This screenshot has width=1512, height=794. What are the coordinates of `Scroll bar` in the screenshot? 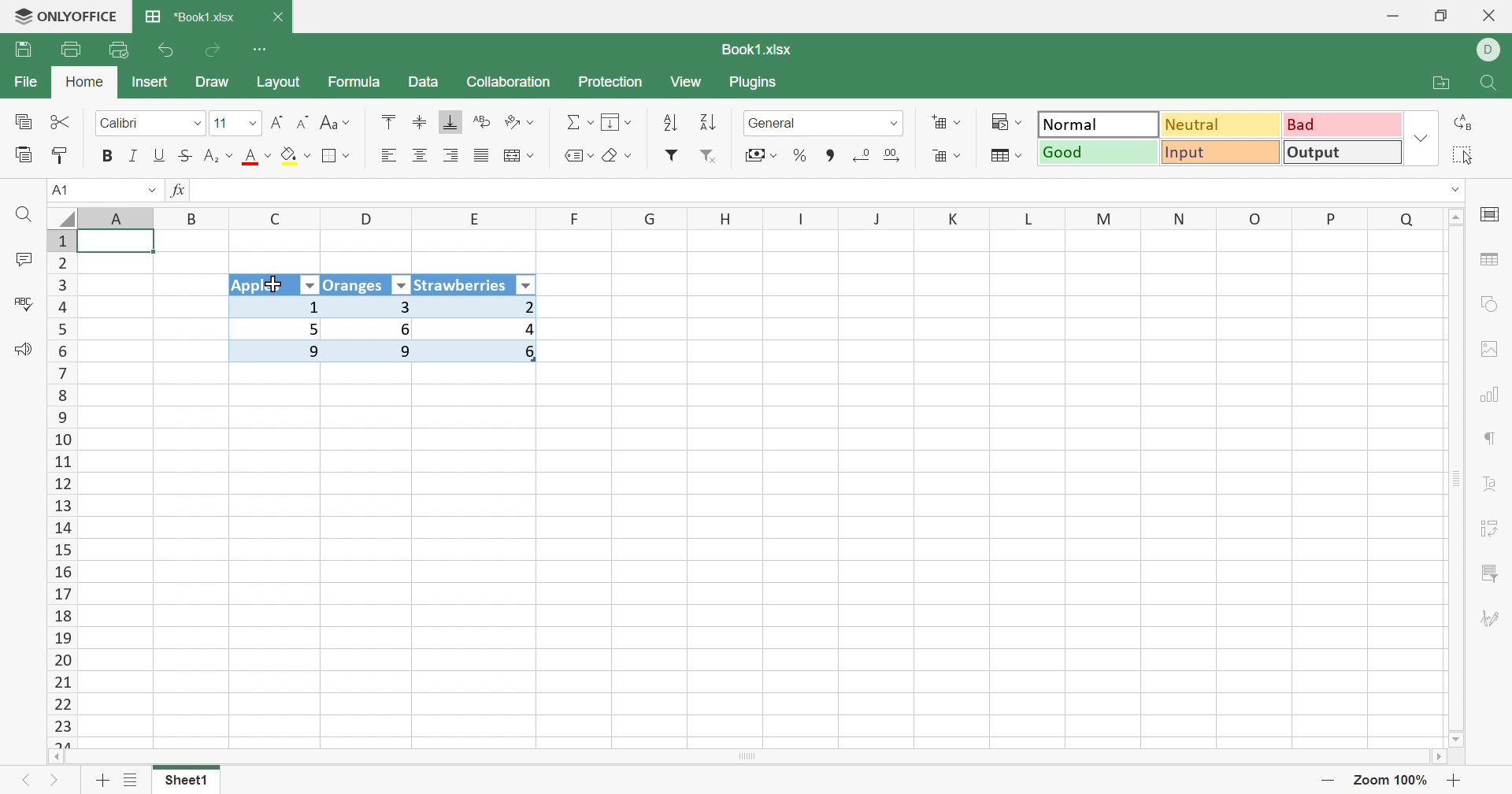 It's located at (752, 756).